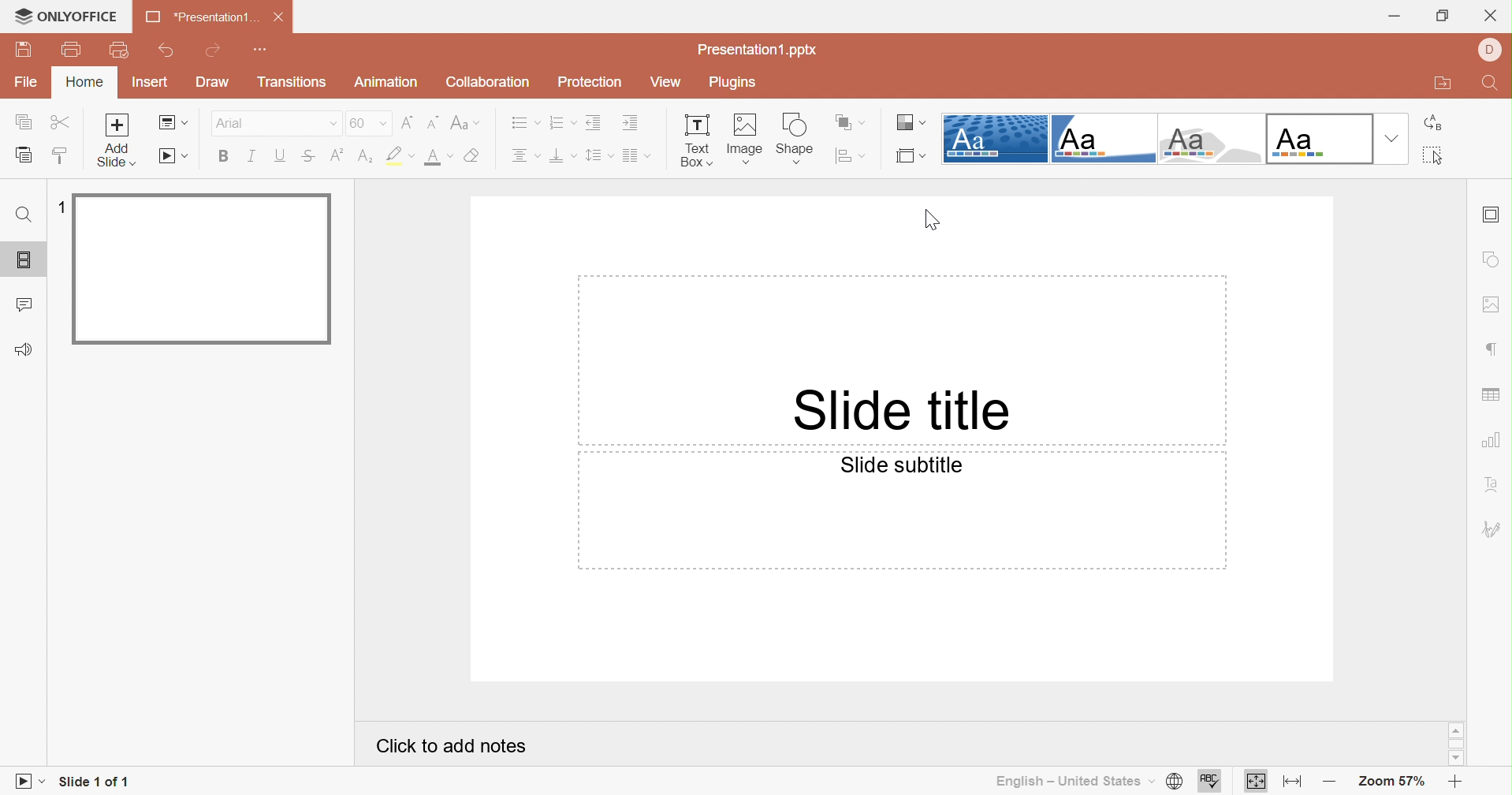  What do you see at coordinates (793, 138) in the screenshot?
I see `Shape` at bounding box center [793, 138].